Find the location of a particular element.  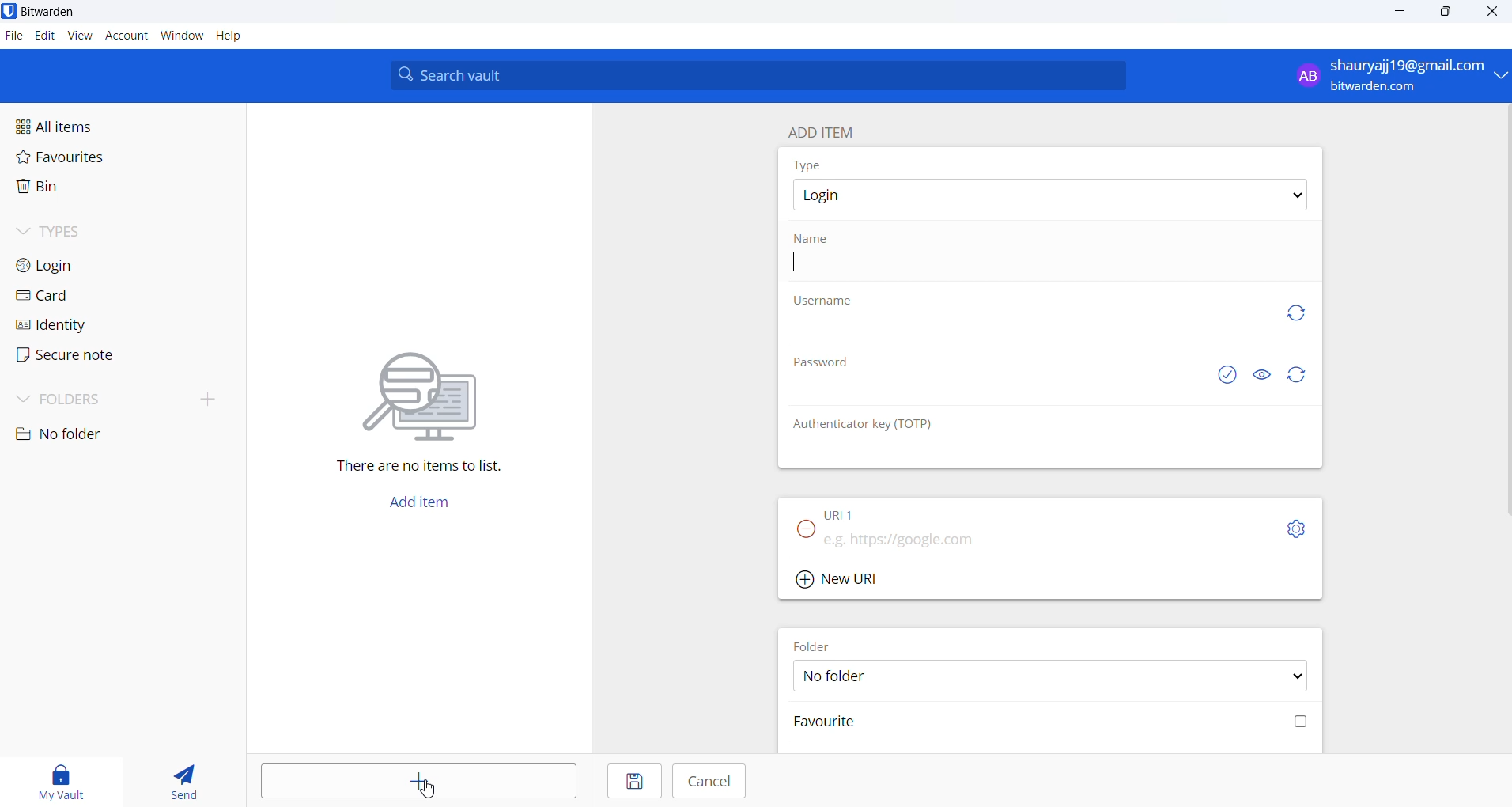

generate password is located at coordinates (1300, 376).